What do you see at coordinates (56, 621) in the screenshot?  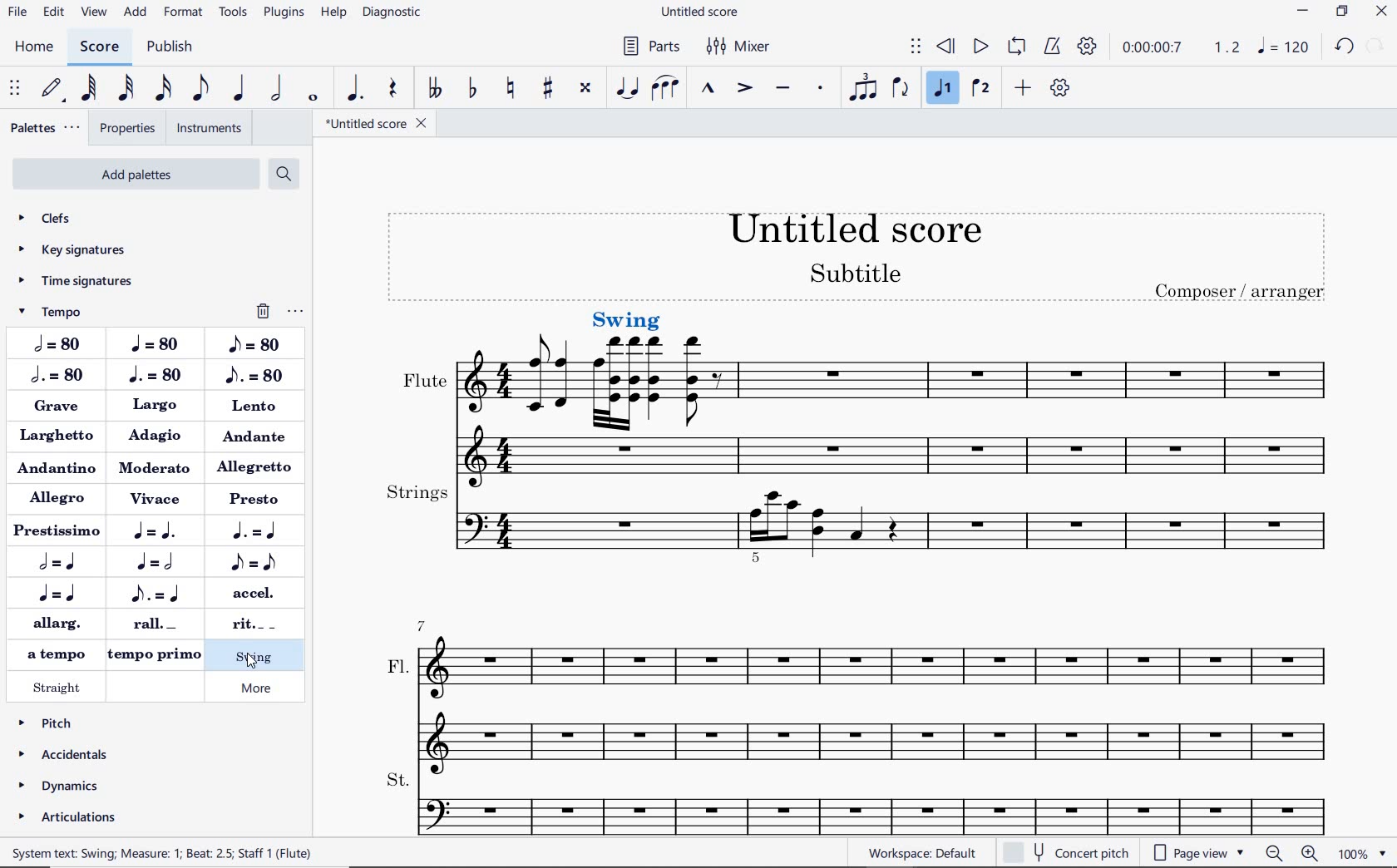 I see `ALLARG.` at bounding box center [56, 621].